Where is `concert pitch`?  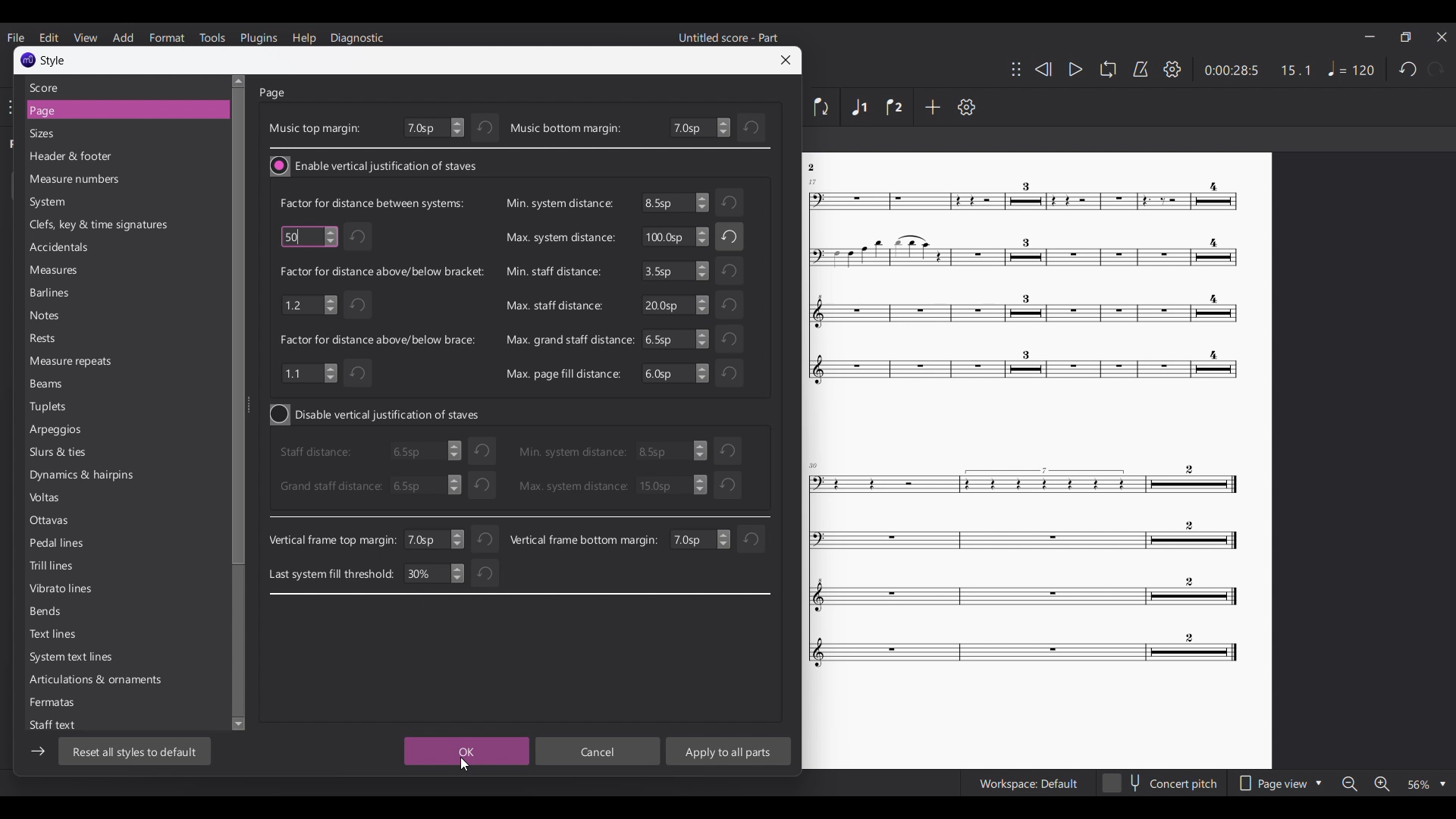 concert pitch is located at coordinates (1160, 785).